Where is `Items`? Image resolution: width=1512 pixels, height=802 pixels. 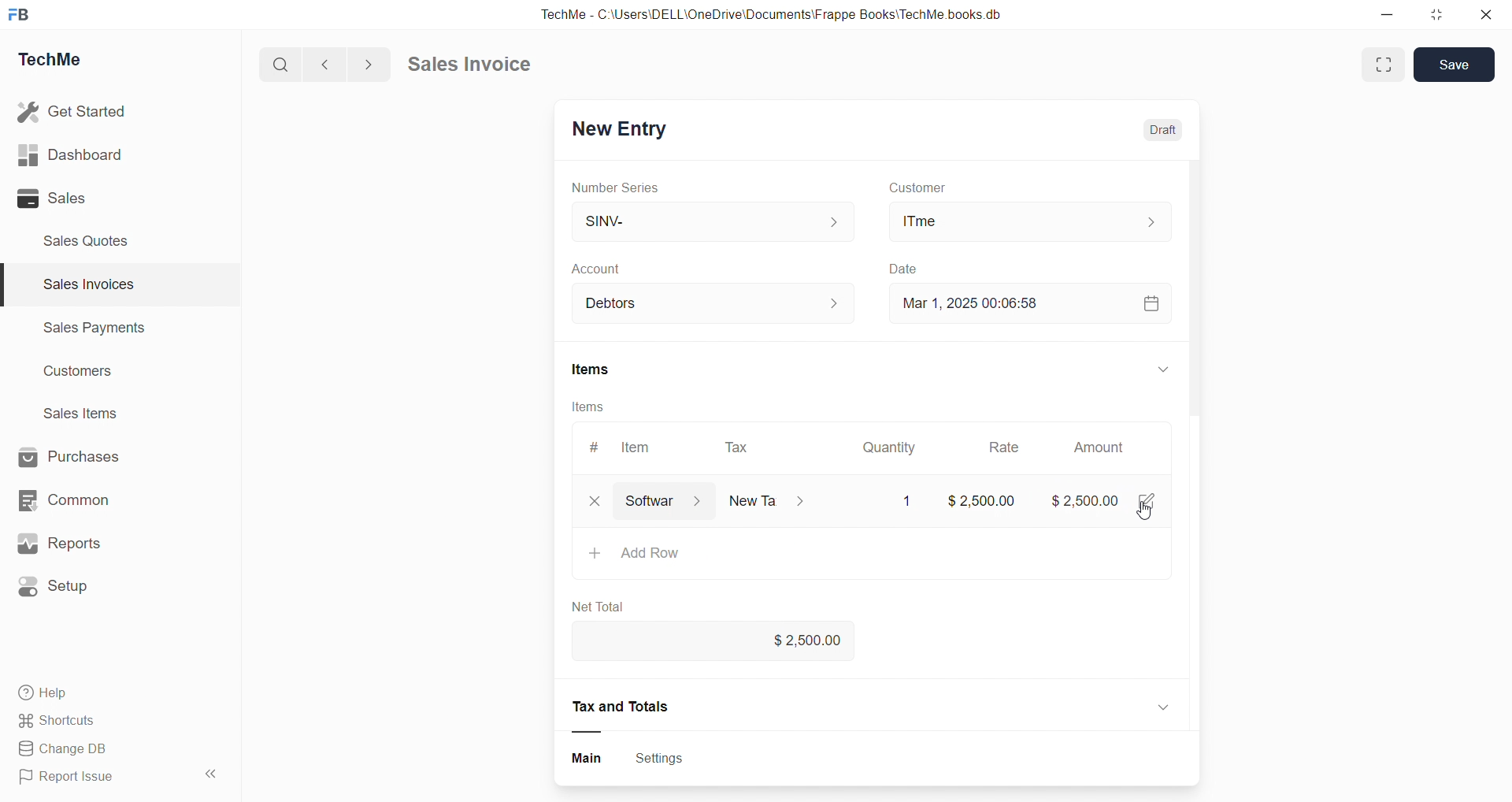
Items is located at coordinates (590, 407).